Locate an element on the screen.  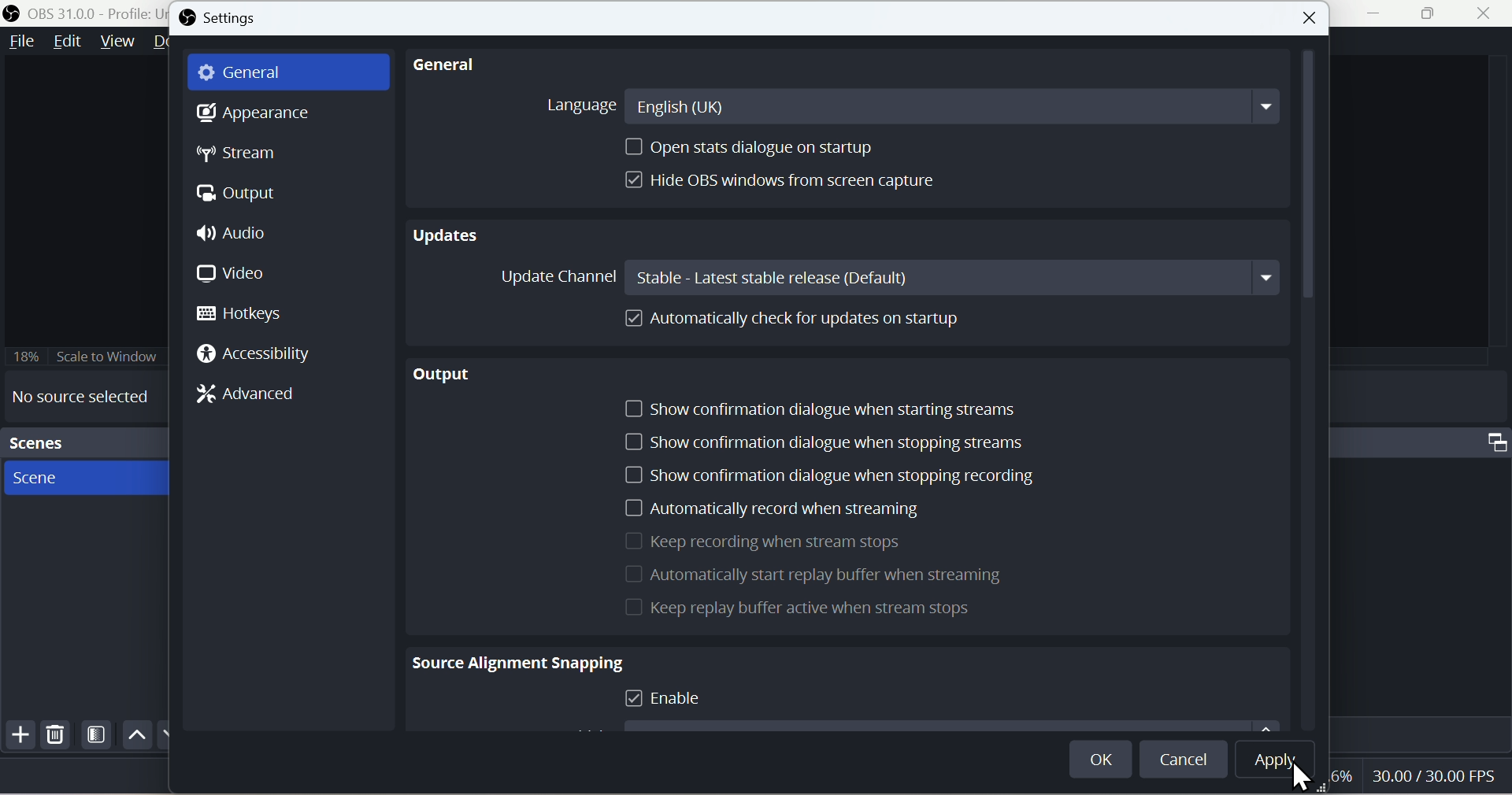
Automatically start replay buffer when is streaming is located at coordinates (813, 576).